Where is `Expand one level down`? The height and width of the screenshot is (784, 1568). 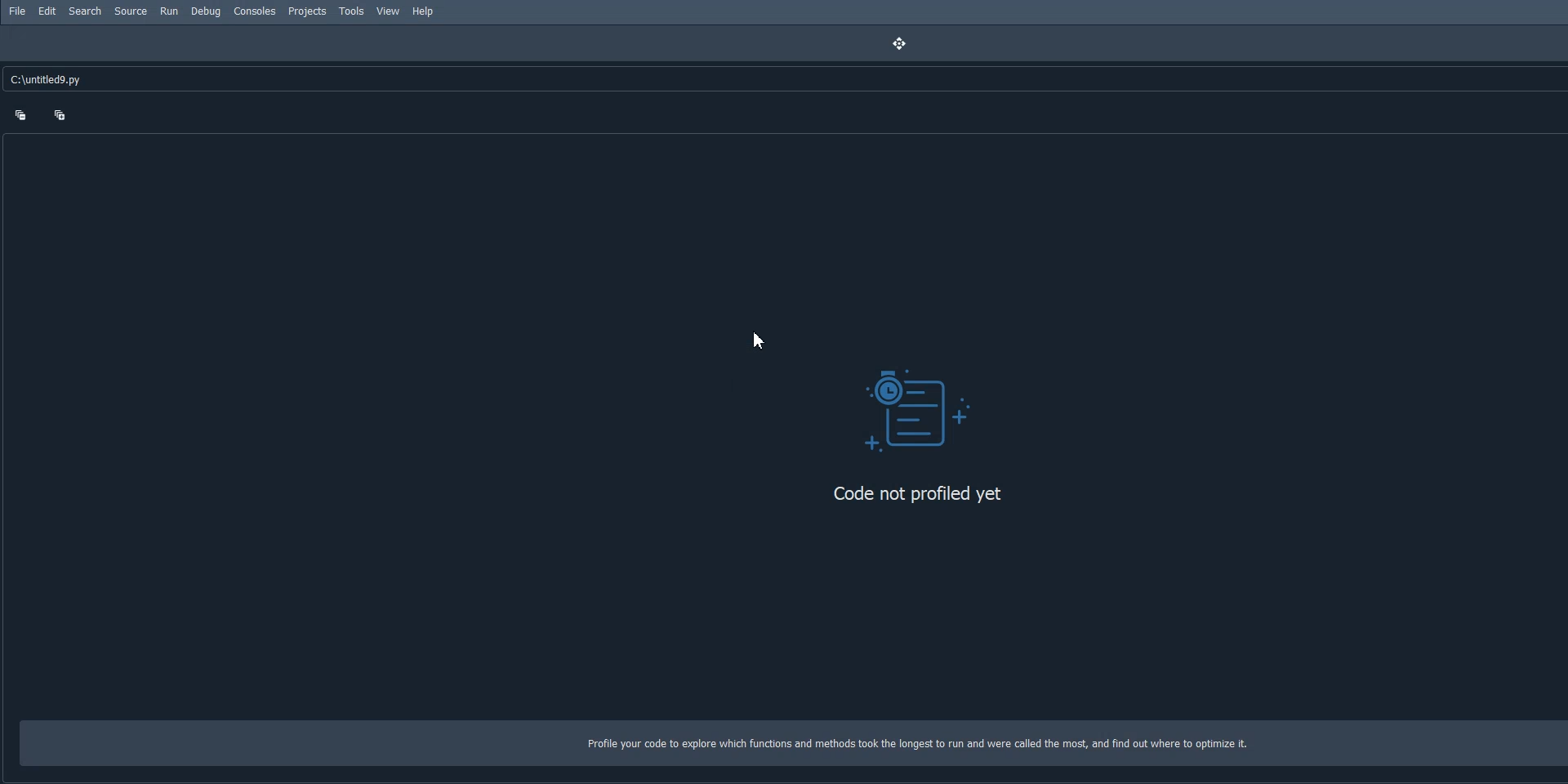
Expand one level down is located at coordinates (60, 116).